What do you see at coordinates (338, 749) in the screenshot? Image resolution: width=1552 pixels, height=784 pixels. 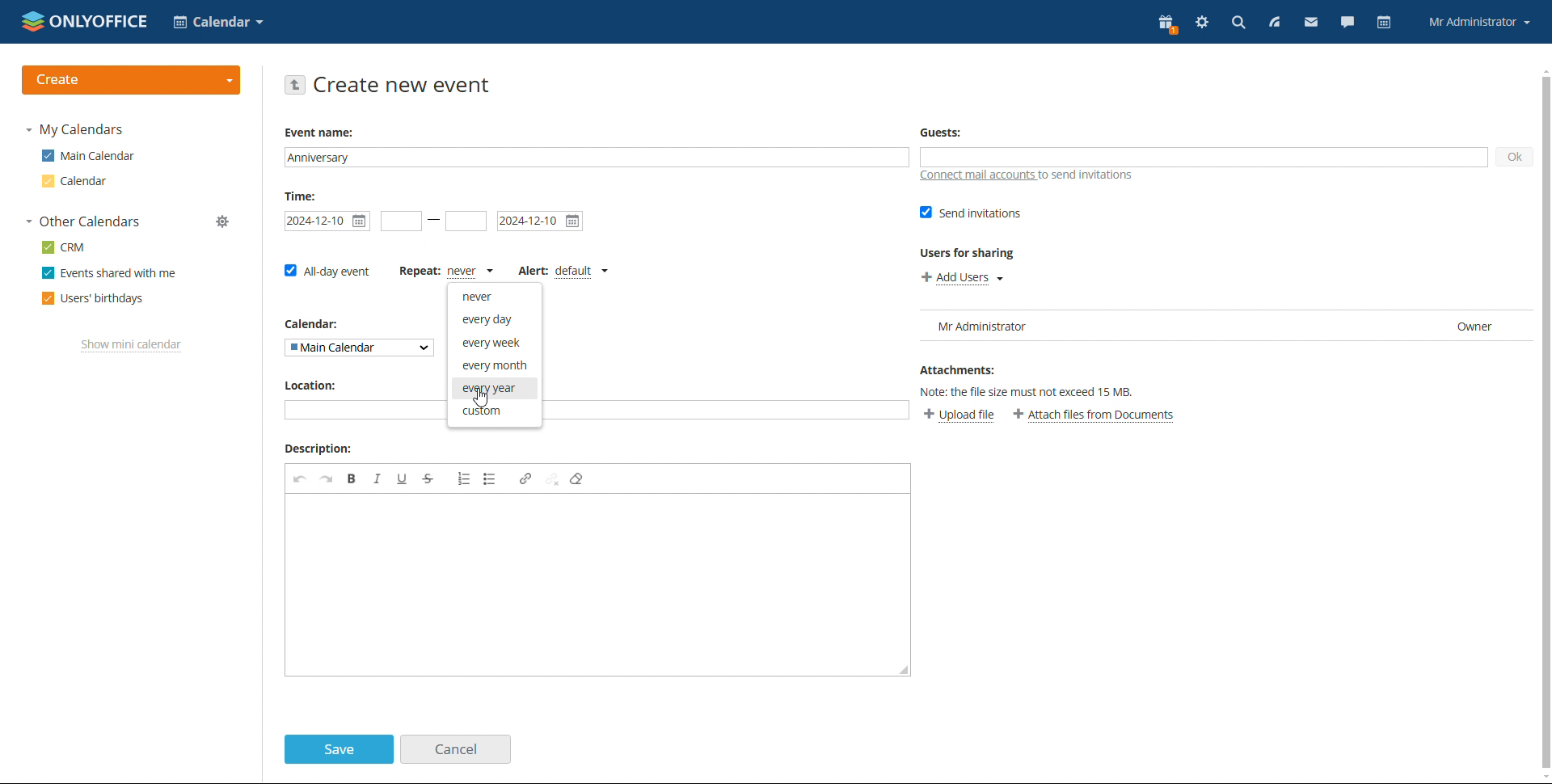 I see `save` at bounding box center [338, 749].